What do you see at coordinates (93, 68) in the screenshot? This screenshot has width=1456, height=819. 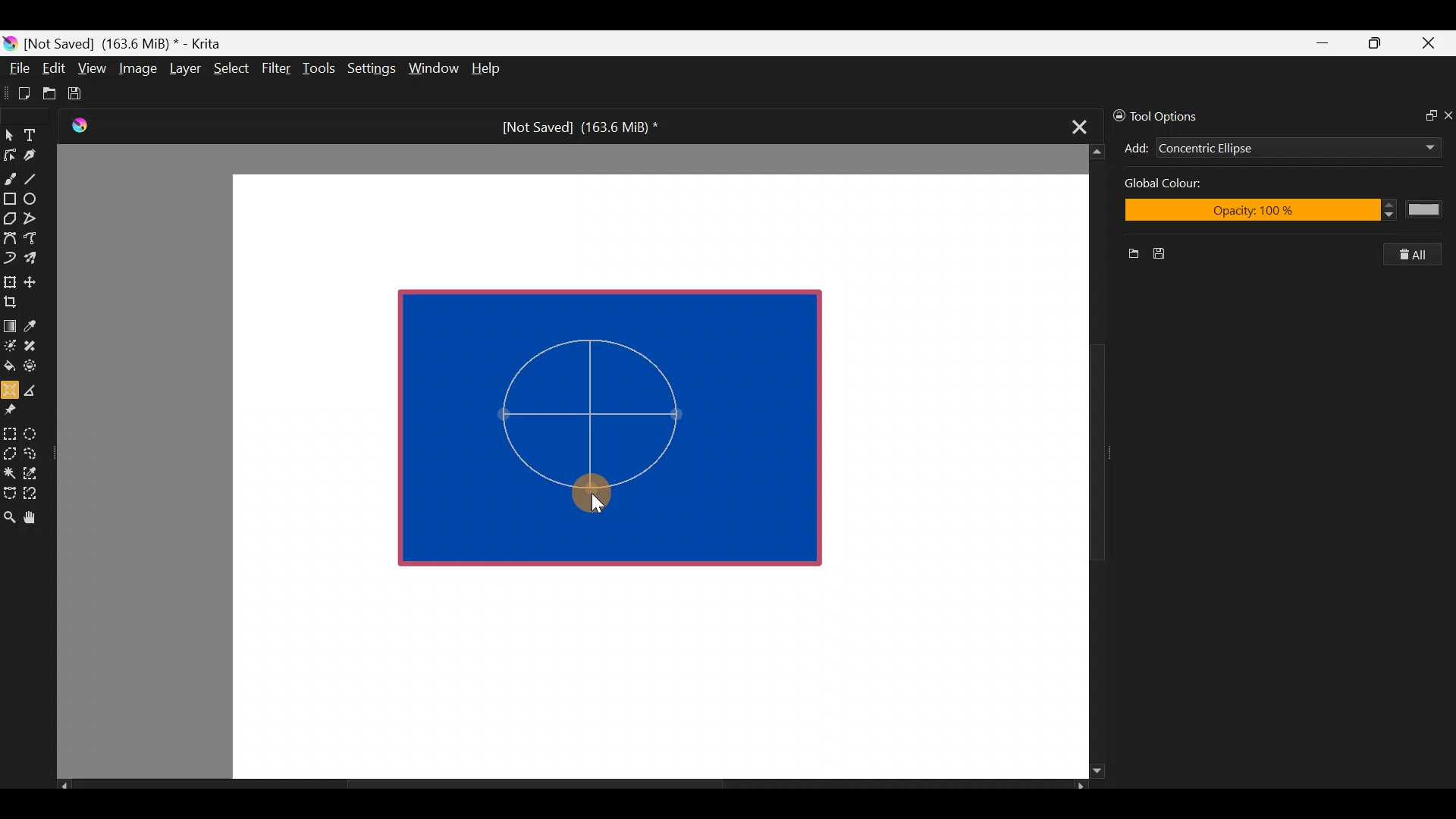 I see `View` at bounding box center [93, 68].